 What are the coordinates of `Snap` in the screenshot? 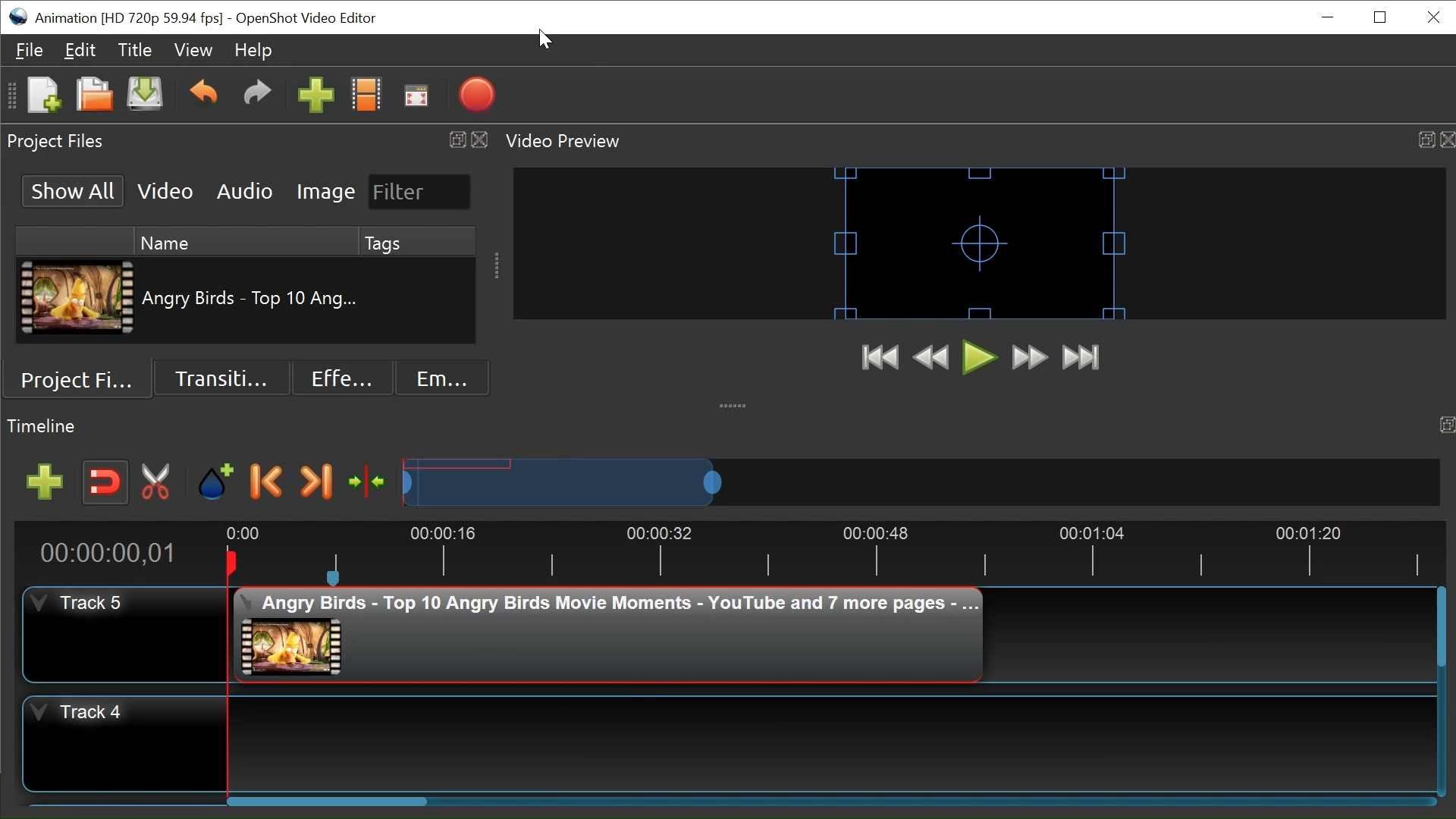 It's located at (105, 482).